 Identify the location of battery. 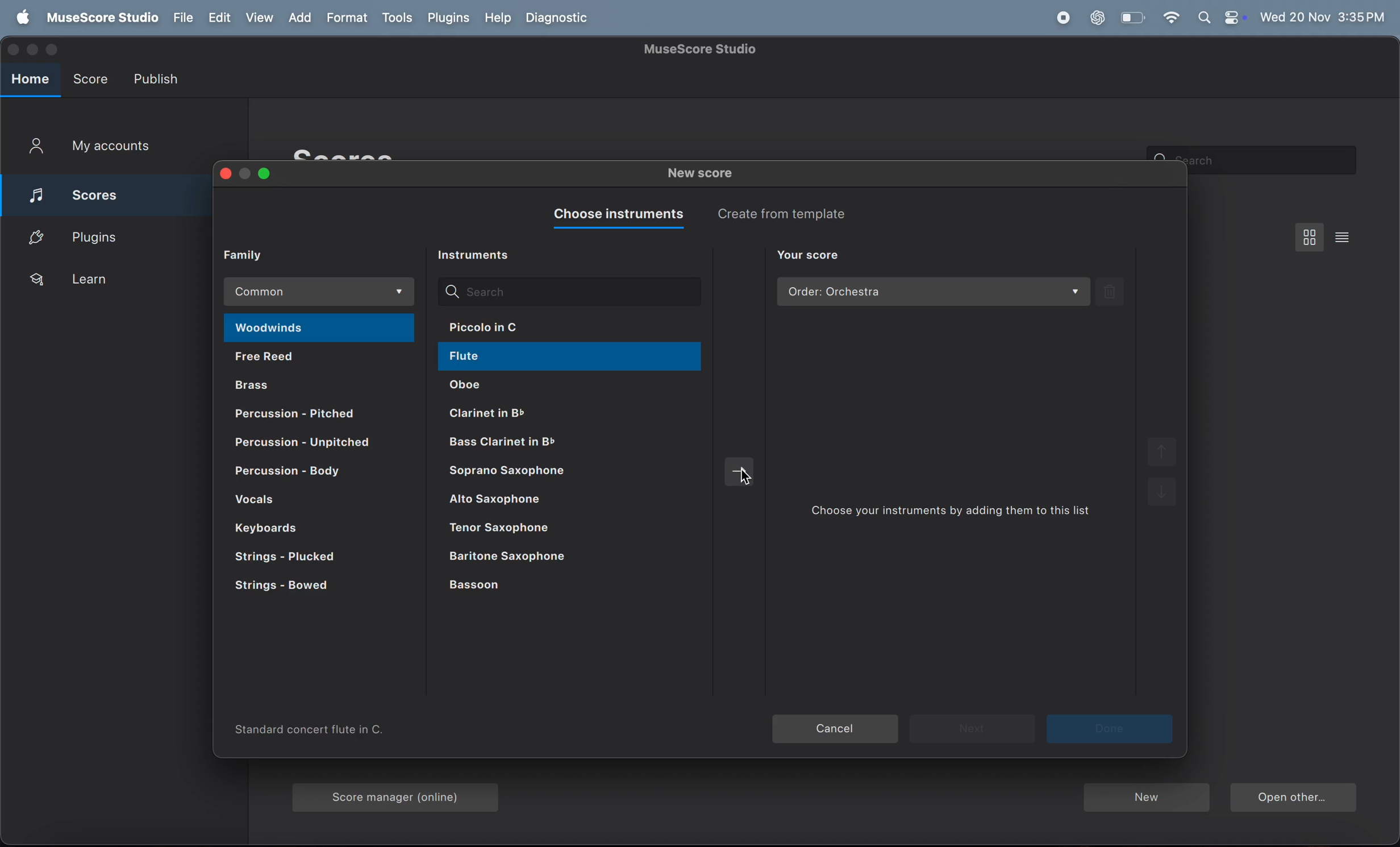
(1131, 18).